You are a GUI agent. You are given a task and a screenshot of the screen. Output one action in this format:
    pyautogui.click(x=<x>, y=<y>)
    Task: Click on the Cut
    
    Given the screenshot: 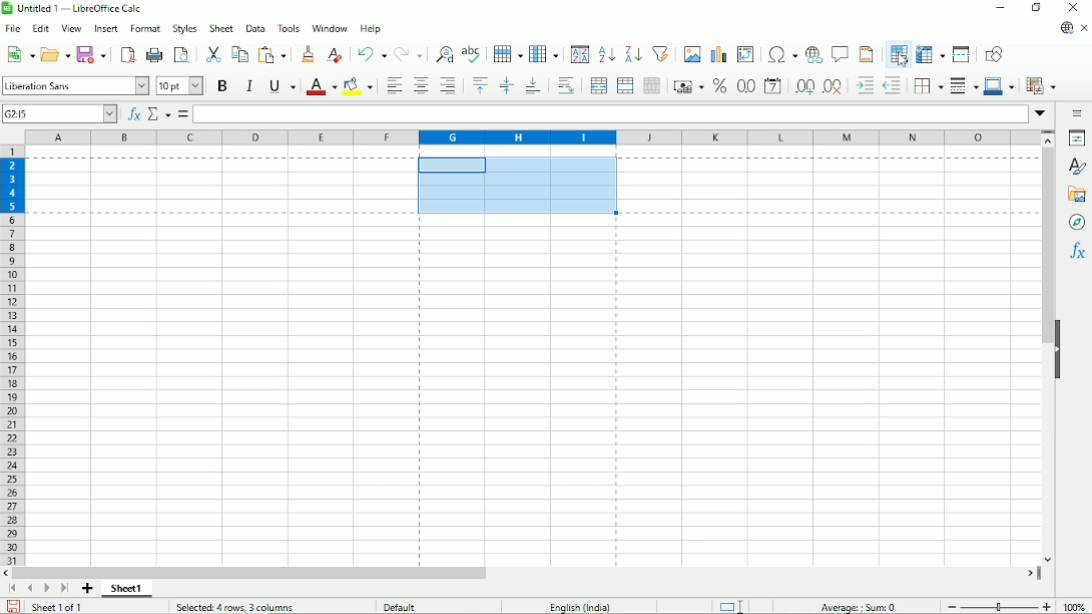 What is the action you would take?
    pyautogui.click(x=212, y=53)
    